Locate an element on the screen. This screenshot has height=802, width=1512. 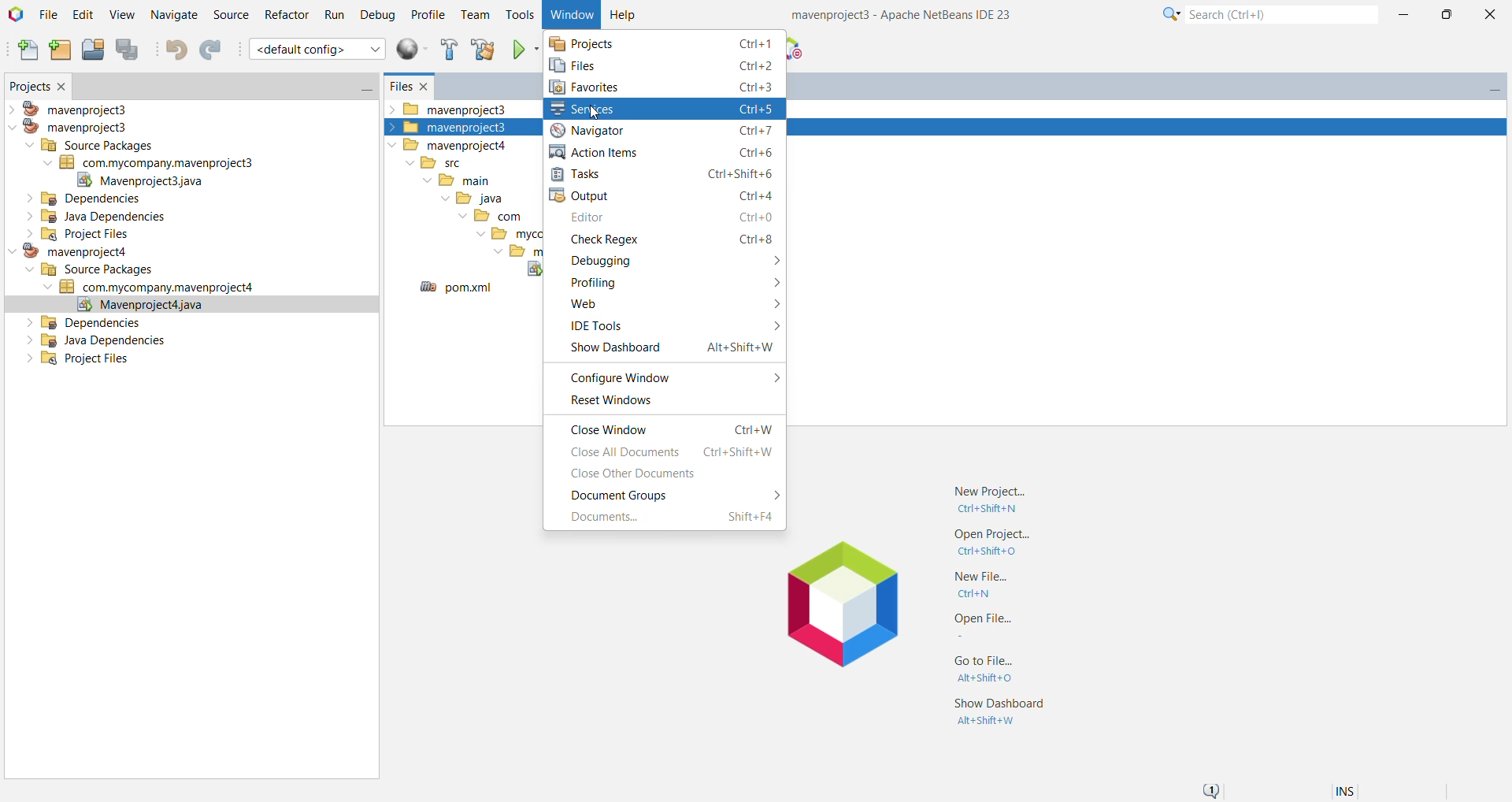
Profile is located at coordinates (428, 17).